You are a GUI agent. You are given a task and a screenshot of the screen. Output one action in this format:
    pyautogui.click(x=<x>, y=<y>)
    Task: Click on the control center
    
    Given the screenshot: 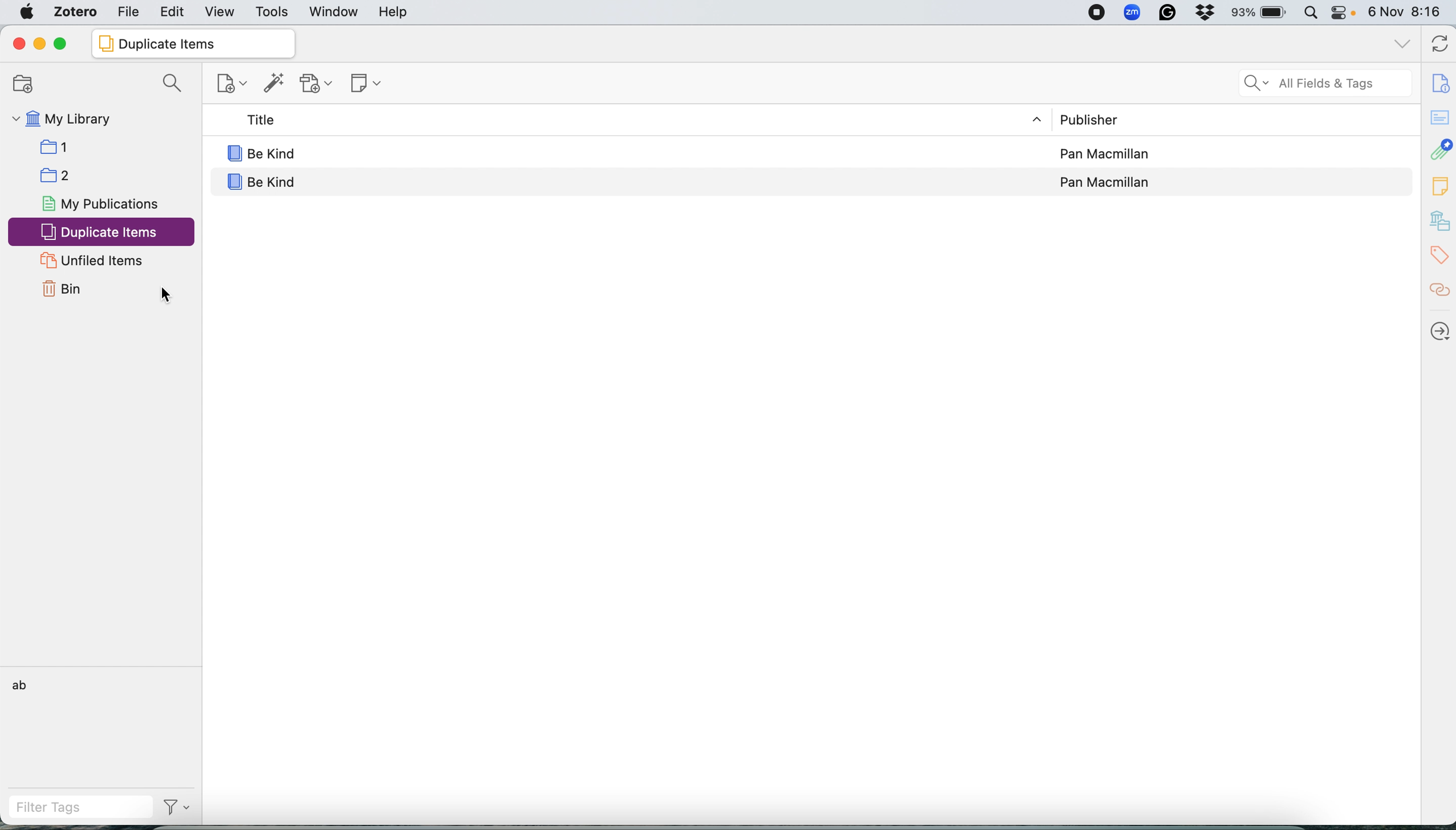 What is the action you would take?
    pyautogui.click(x=1344, y=13)
    